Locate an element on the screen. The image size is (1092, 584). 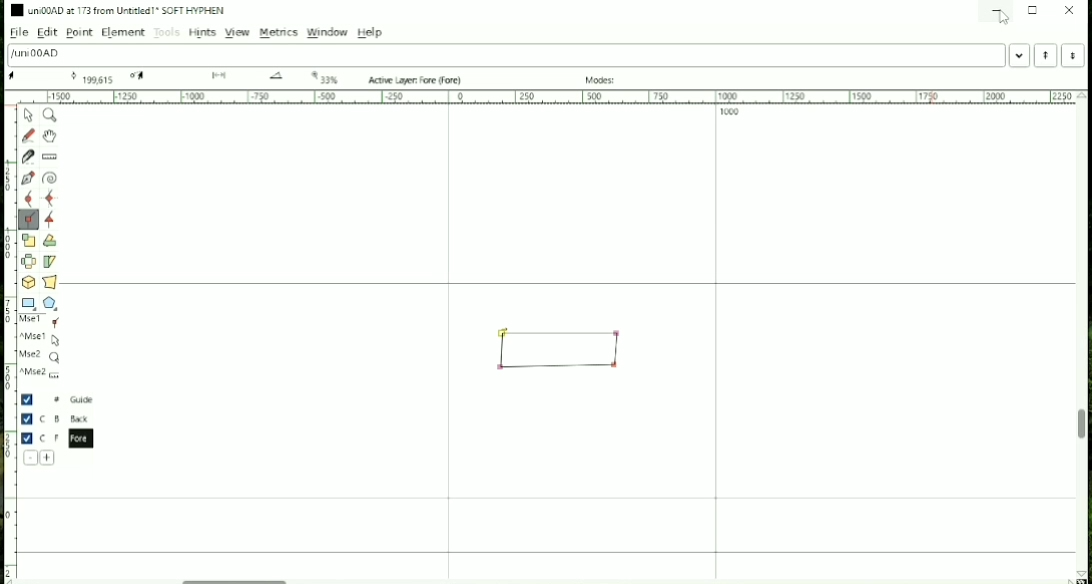
Skew the selection is located at coordinates (49, 262).